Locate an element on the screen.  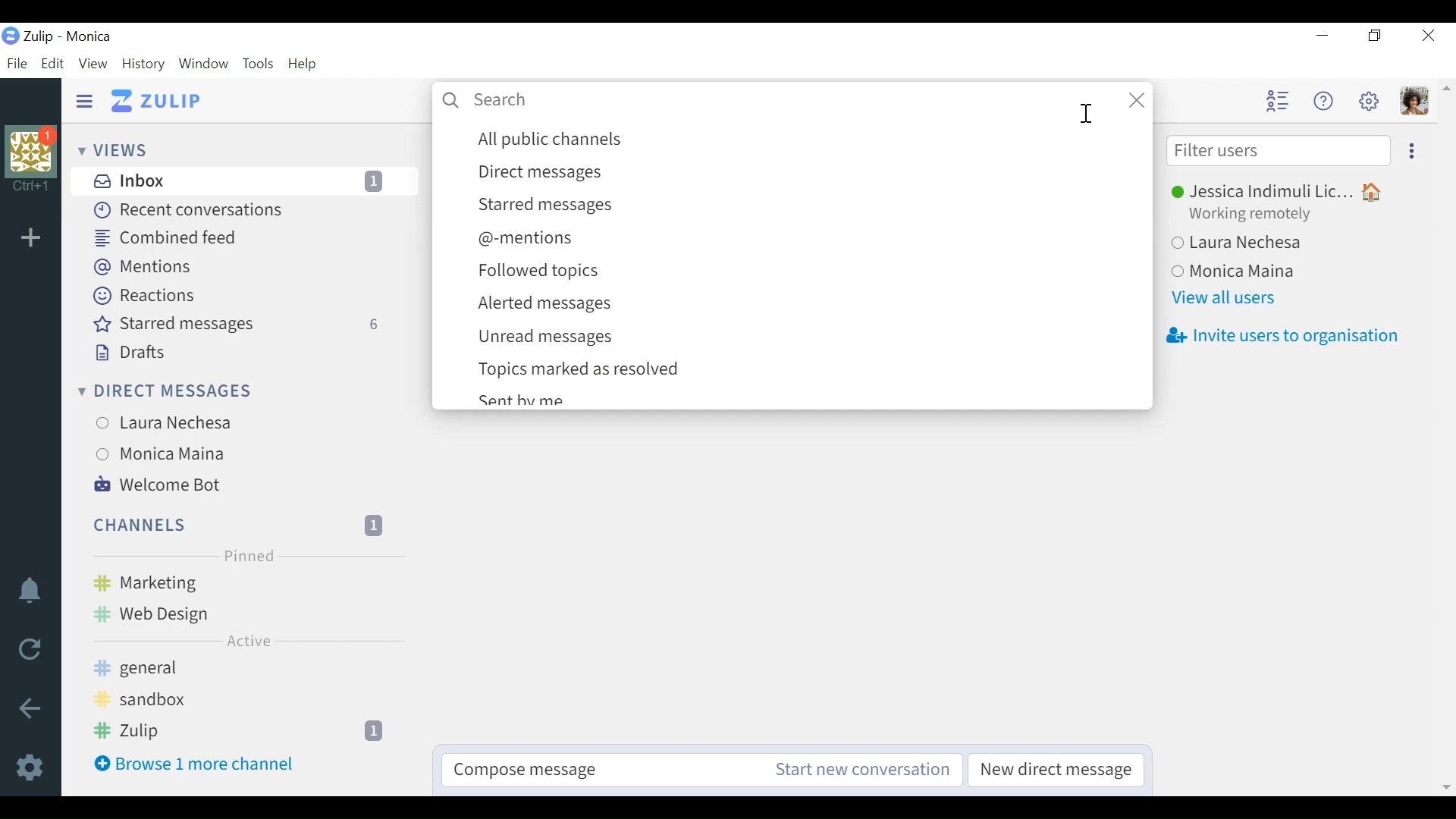
Direct messages is located at coordinates (804, 173).